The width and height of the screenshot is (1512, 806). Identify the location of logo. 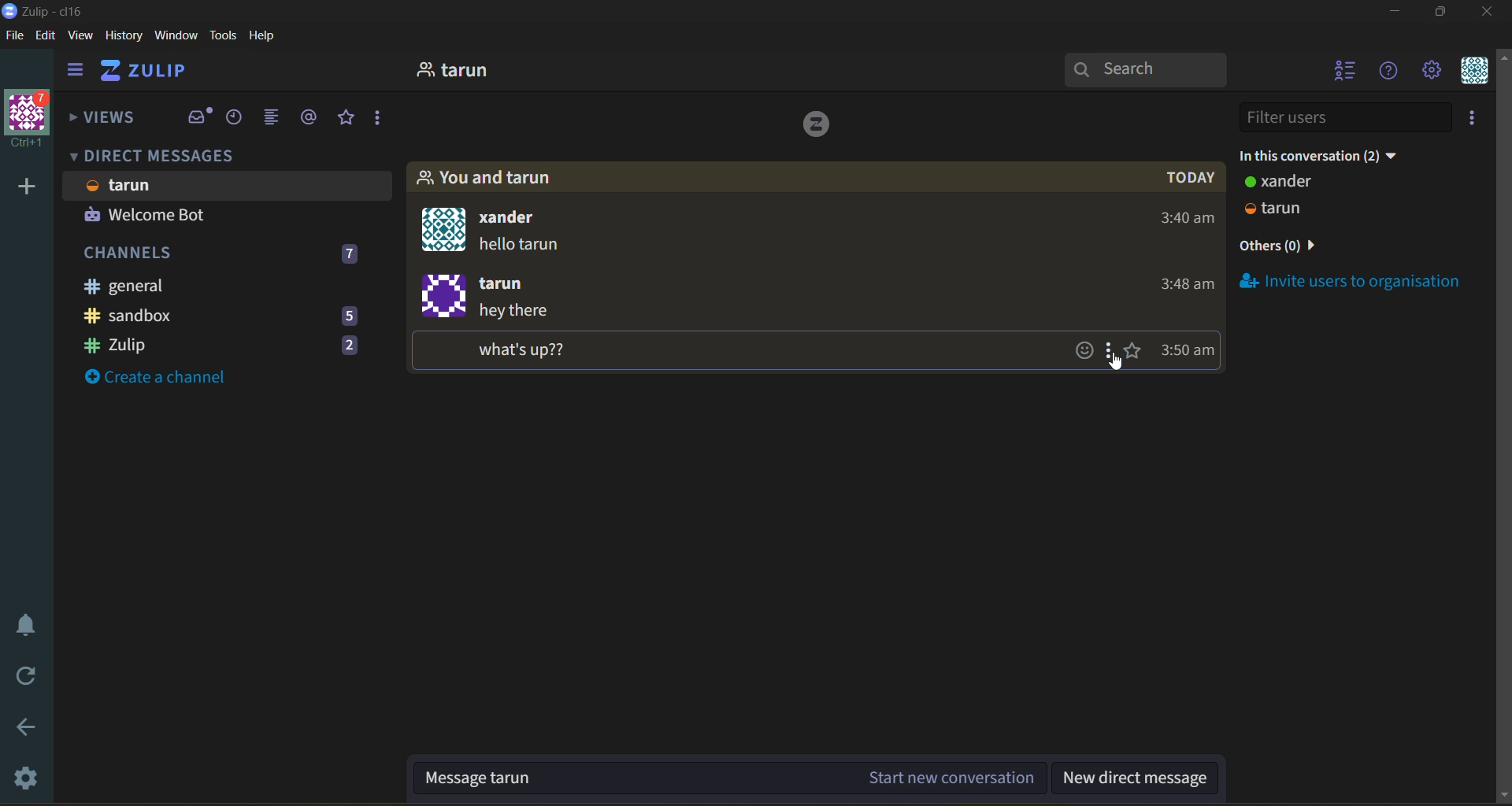
(817, 126).